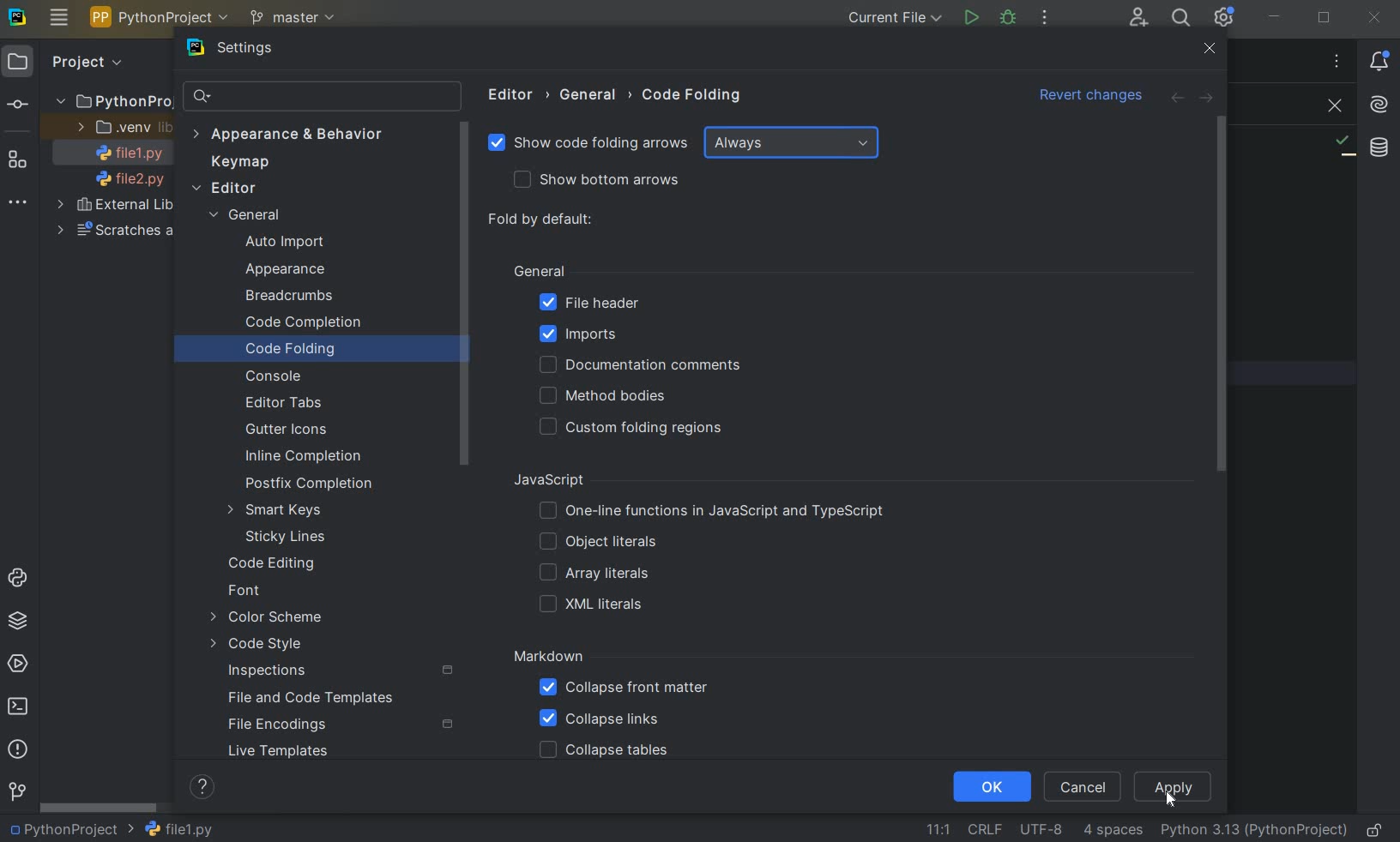  What do you see at coordinates (590, 145) in the screenshot?
I see `SHOW CODE FOLDING ARROWS Selected` at bounding box center [590, 145].